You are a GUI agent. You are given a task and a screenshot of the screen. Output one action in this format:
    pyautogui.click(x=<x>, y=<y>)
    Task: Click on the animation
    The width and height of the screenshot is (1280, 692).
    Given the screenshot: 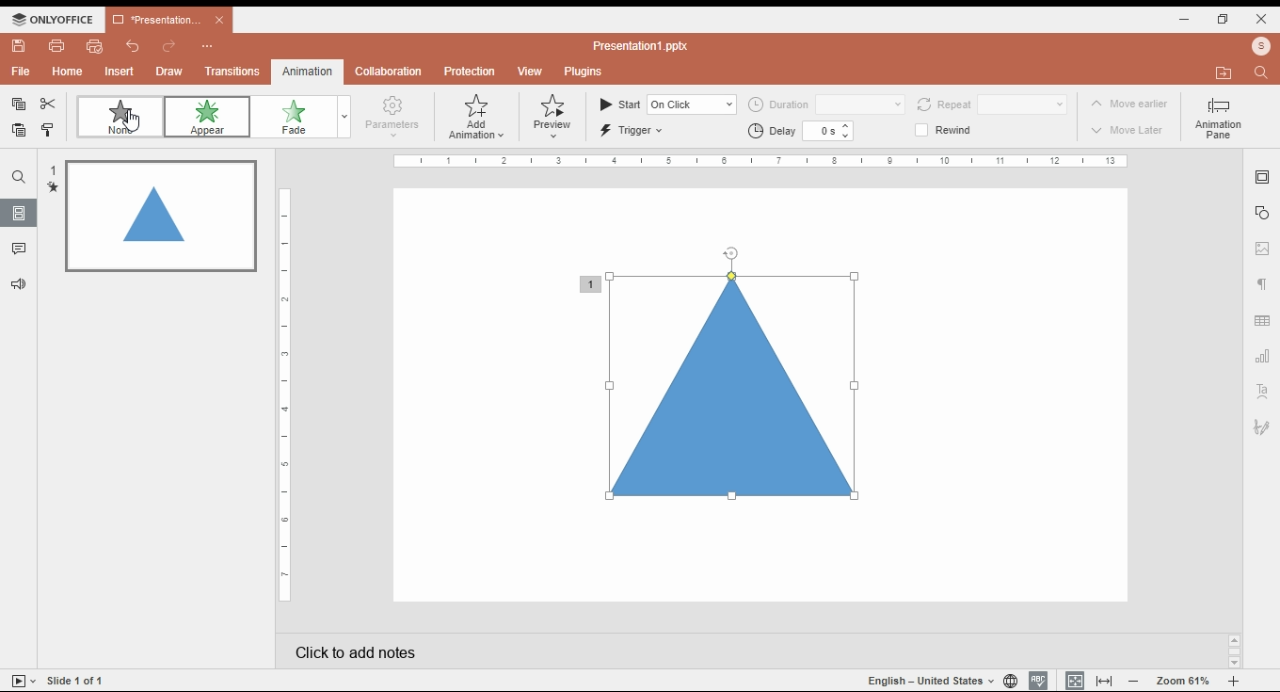 What is the action you would take?
    pyautogui.click(x=310, y=70)
    